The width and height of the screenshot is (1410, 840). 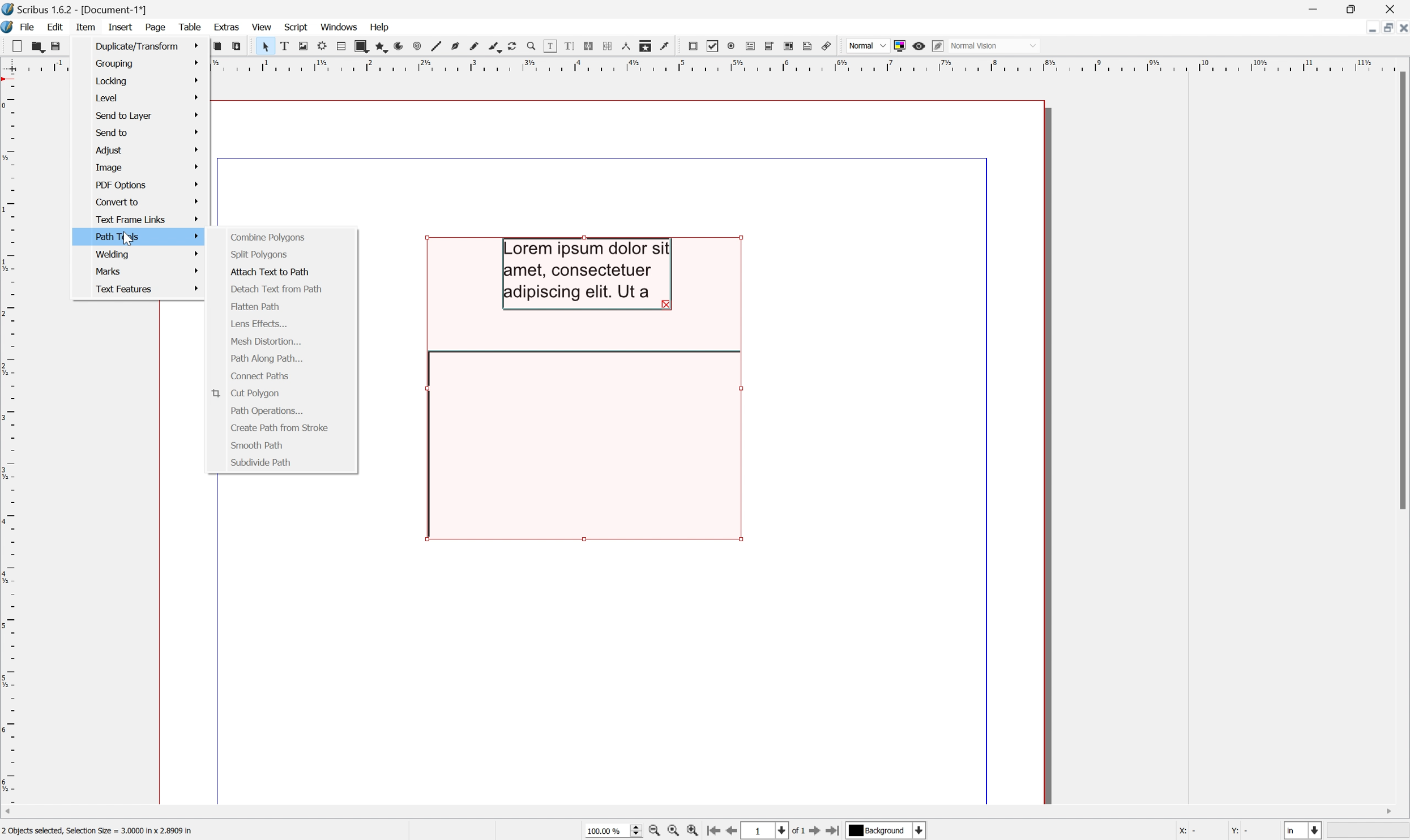 I want to click on Toggle color management system, so click(x=896, y=44).